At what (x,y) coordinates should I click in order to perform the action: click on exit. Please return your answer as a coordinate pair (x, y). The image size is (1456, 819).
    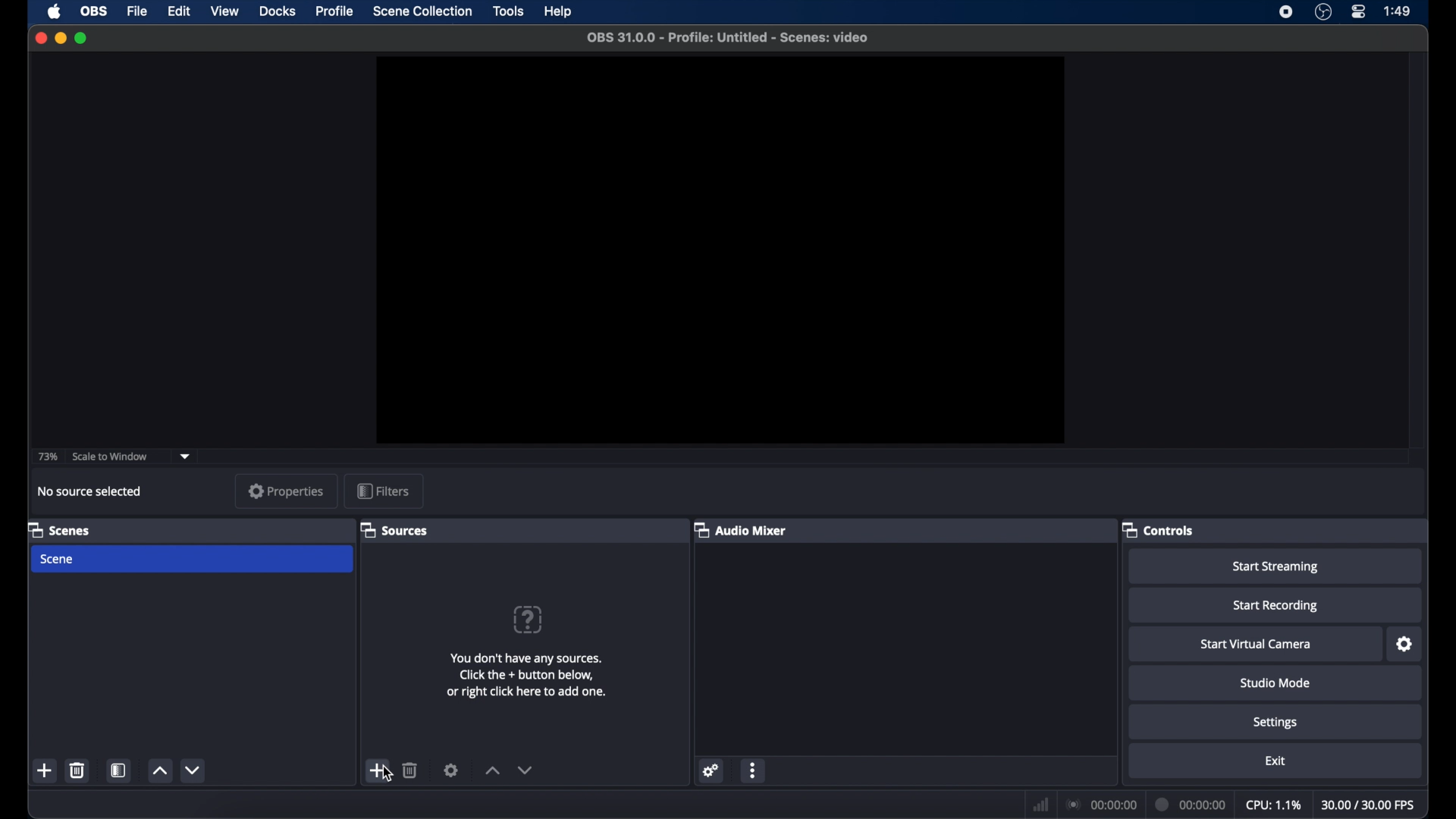
    Looking at the image, I should click on (1276, 761).